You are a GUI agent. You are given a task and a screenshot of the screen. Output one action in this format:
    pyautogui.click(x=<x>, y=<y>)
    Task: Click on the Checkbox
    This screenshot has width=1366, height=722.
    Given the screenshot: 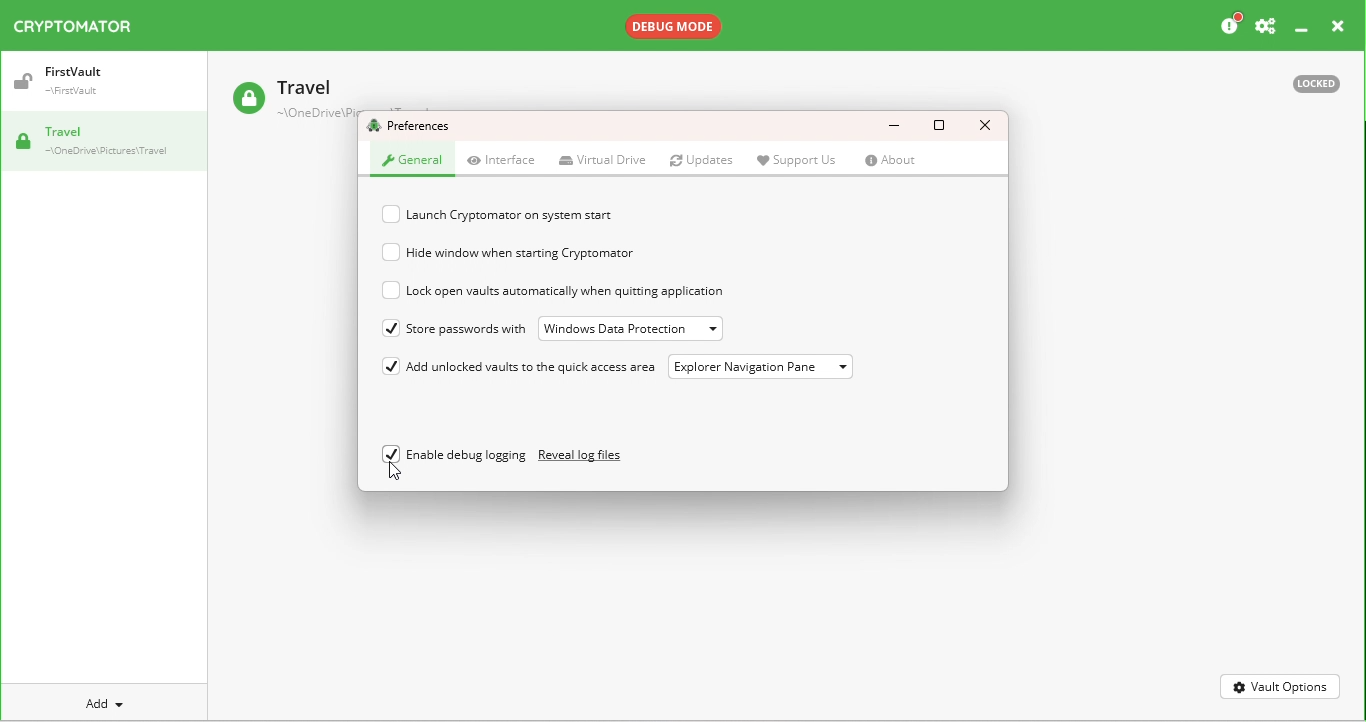 What is the action you would take?
    pyautogui.click(x=393, y=252)
    